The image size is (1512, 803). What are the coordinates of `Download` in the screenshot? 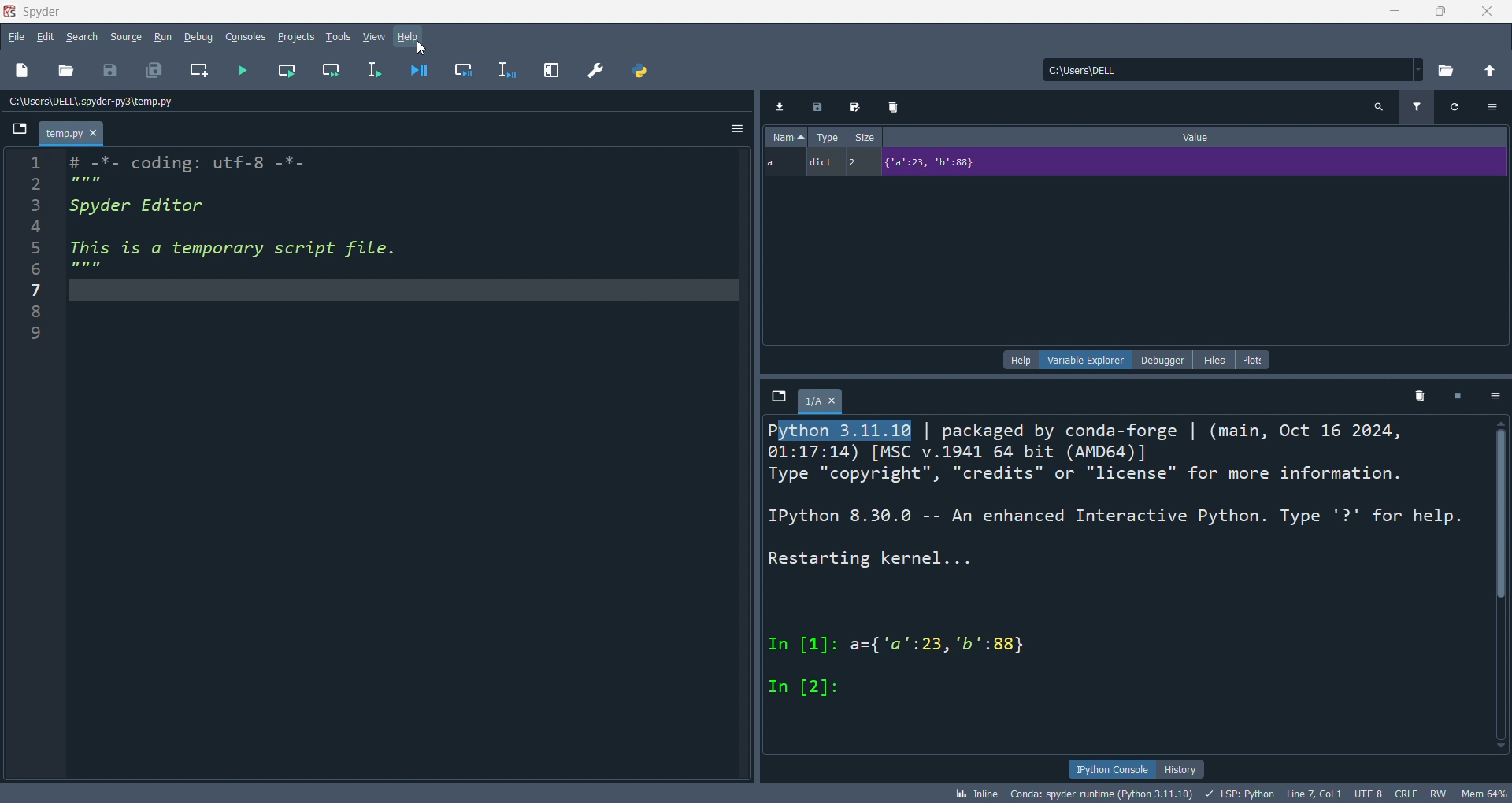 It's located at (779, 105).